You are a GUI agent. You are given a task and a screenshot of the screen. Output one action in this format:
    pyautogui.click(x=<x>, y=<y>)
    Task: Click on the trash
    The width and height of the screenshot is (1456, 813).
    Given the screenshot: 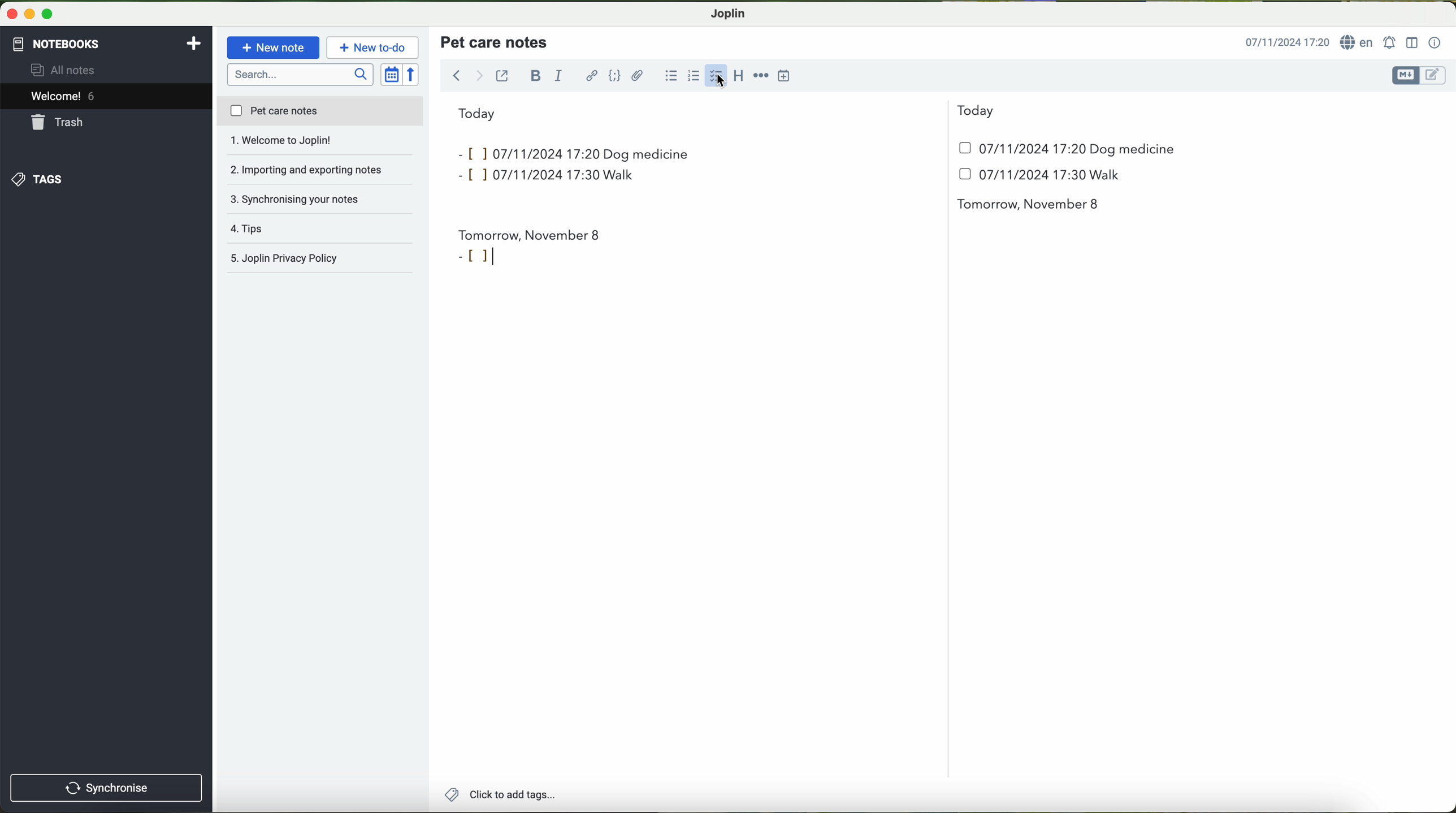 What is the action you would take?
    pyautogui.click(x=58, y=124)
    